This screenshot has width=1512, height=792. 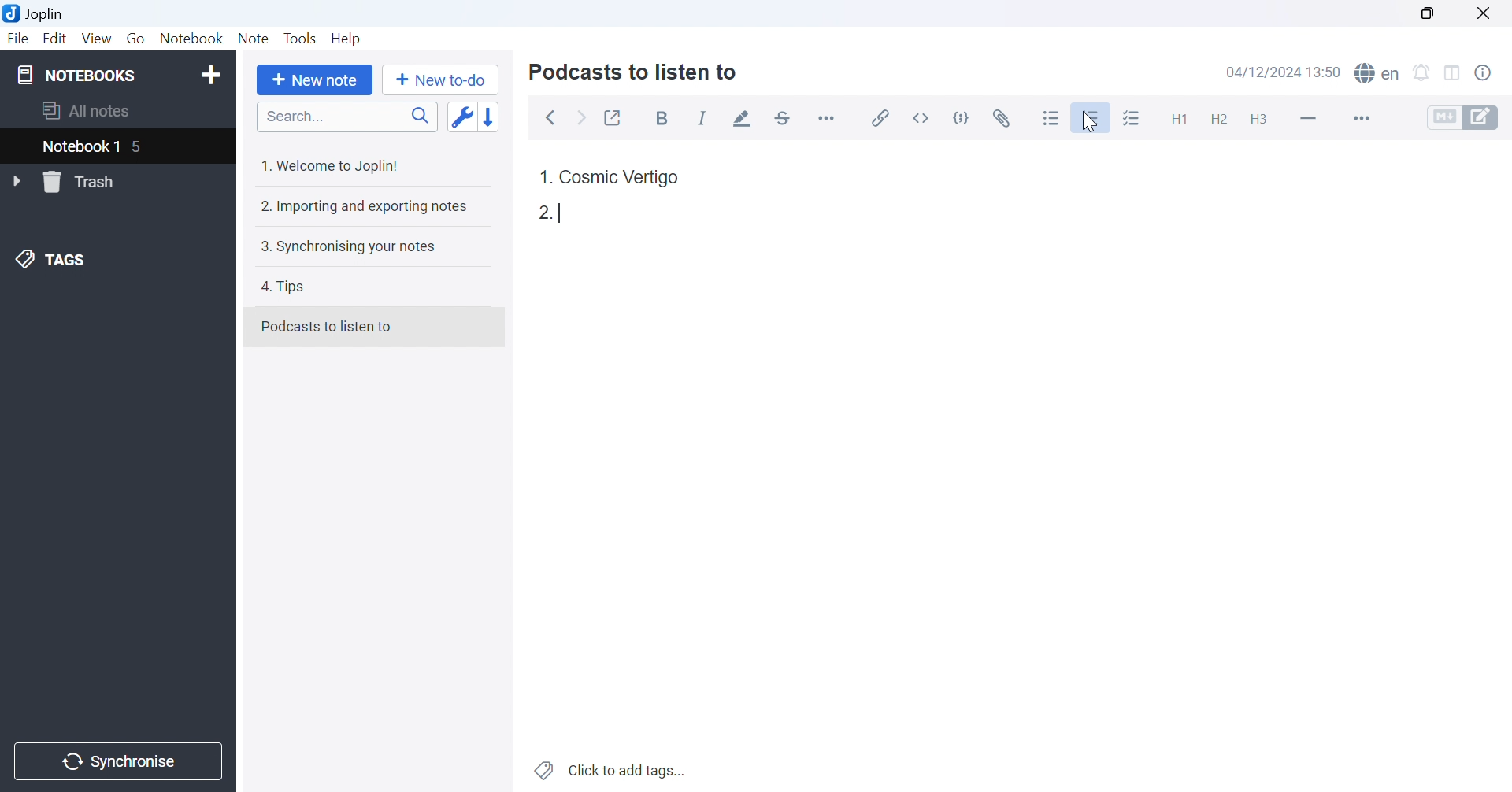 I want to click on Toggle editor layout, so click(x=1453, y=73).